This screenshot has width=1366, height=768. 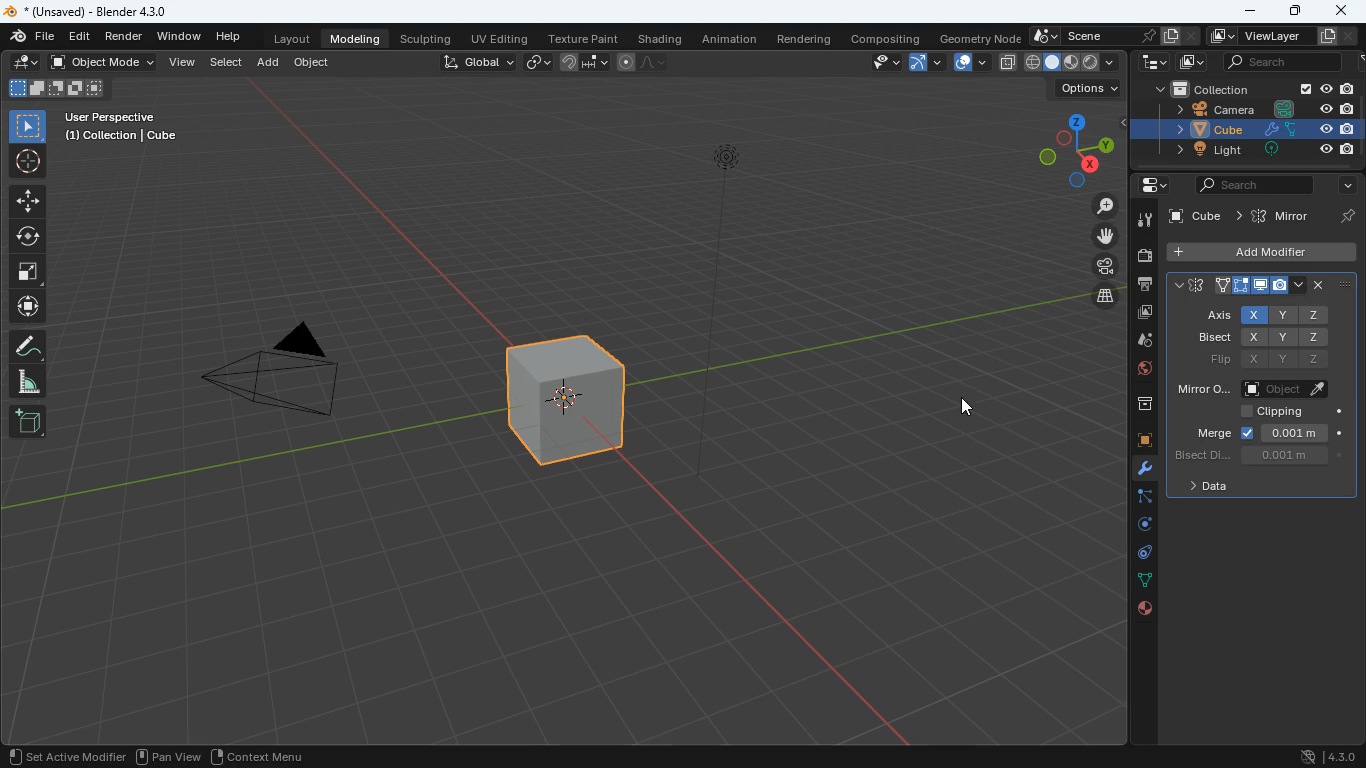 What do you see at coordinates (427, 39) in the screenshot?
I see `sculpting` at bounding box center [427, 39].